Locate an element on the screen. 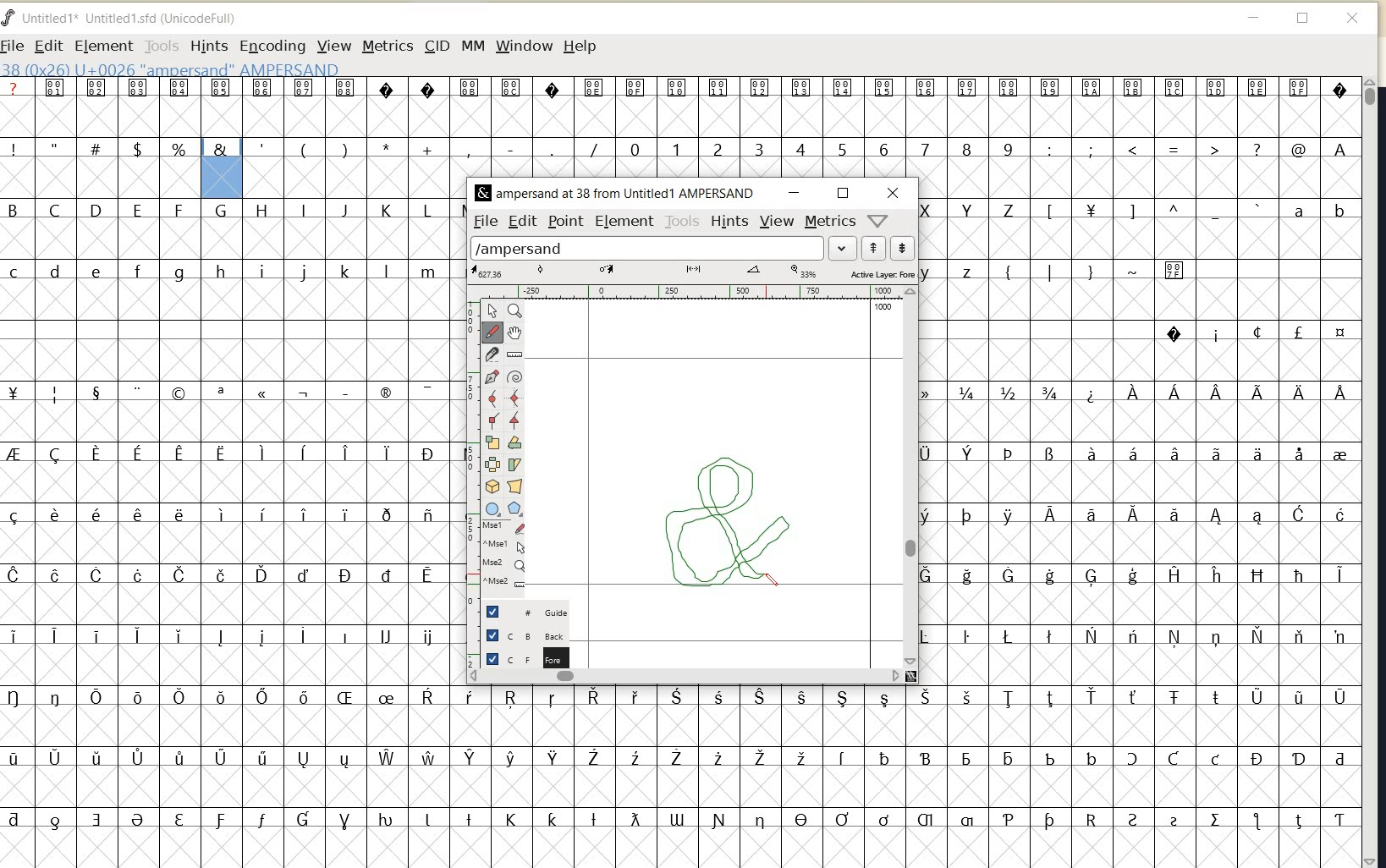 The height and width of the screenshot is (868, 1386). measure distance, angle between points is located at coordinates (514, 354).